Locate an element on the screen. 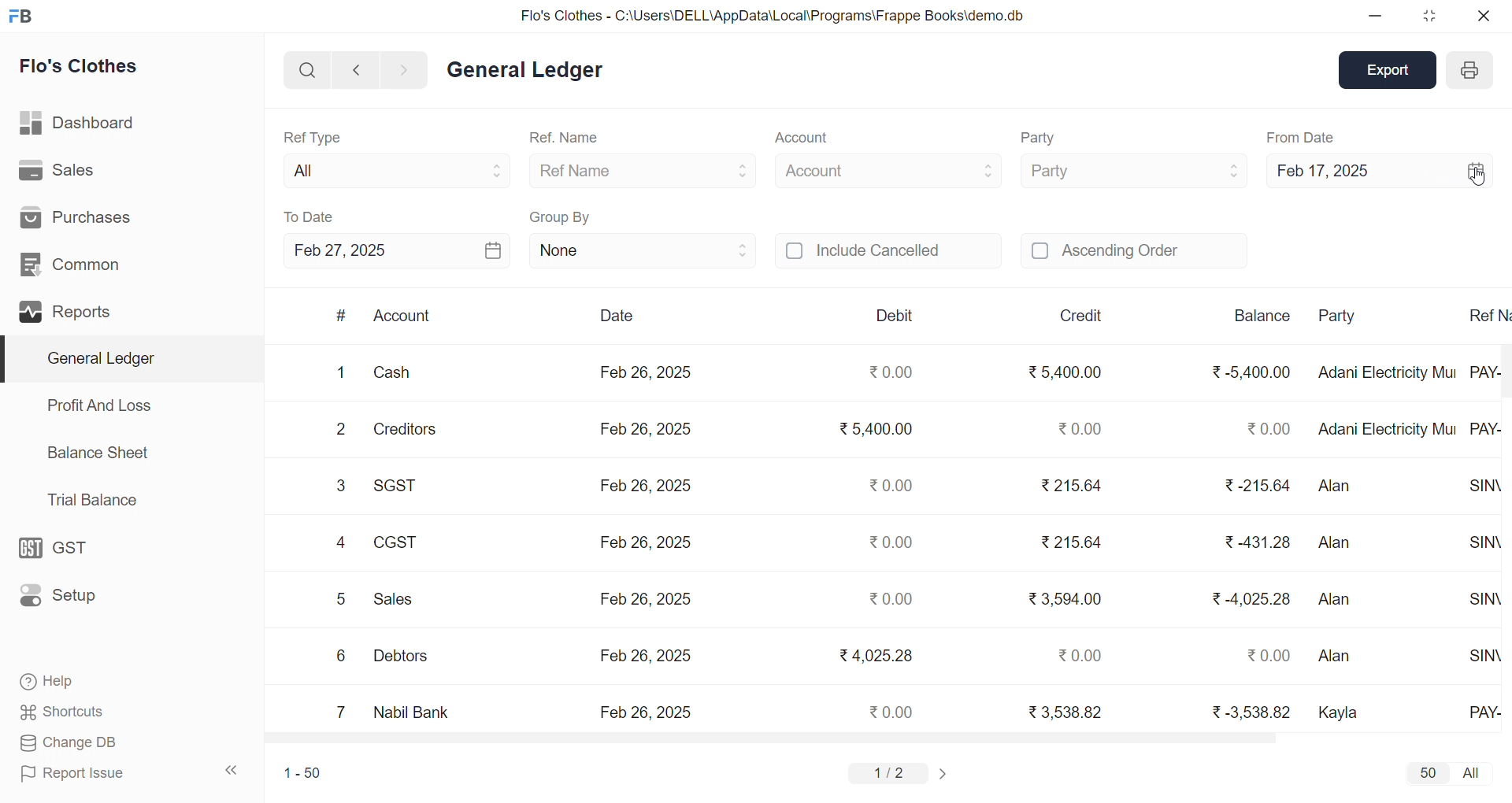 The height and width of the screenshot is (803, 1512). Party is located at coordinates (1132, 169).